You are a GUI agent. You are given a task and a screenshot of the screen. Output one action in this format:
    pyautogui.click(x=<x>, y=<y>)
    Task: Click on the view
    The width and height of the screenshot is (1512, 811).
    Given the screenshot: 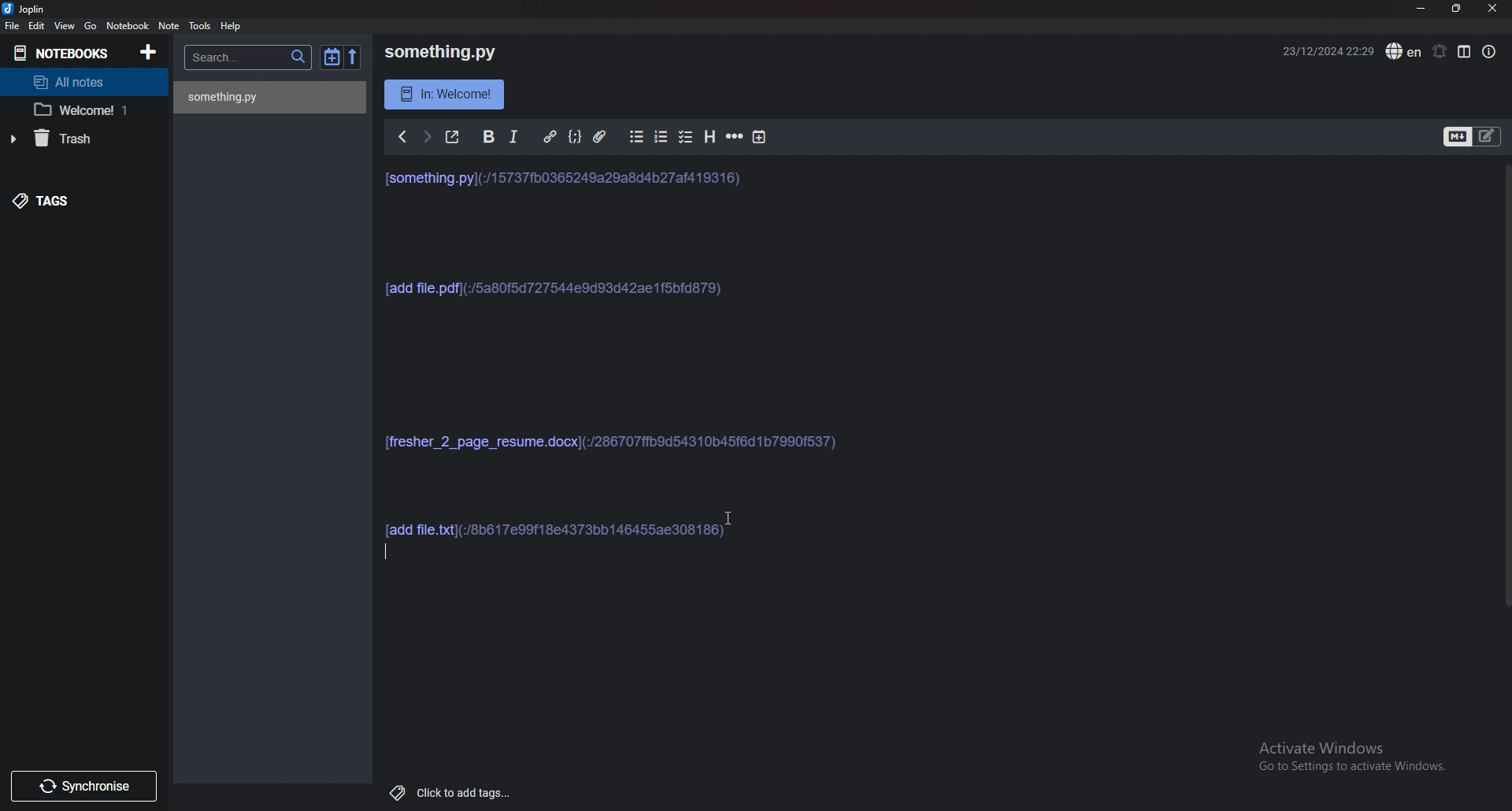 What is the action you would take?
    pyautogui.click(x=66, y=26)
    